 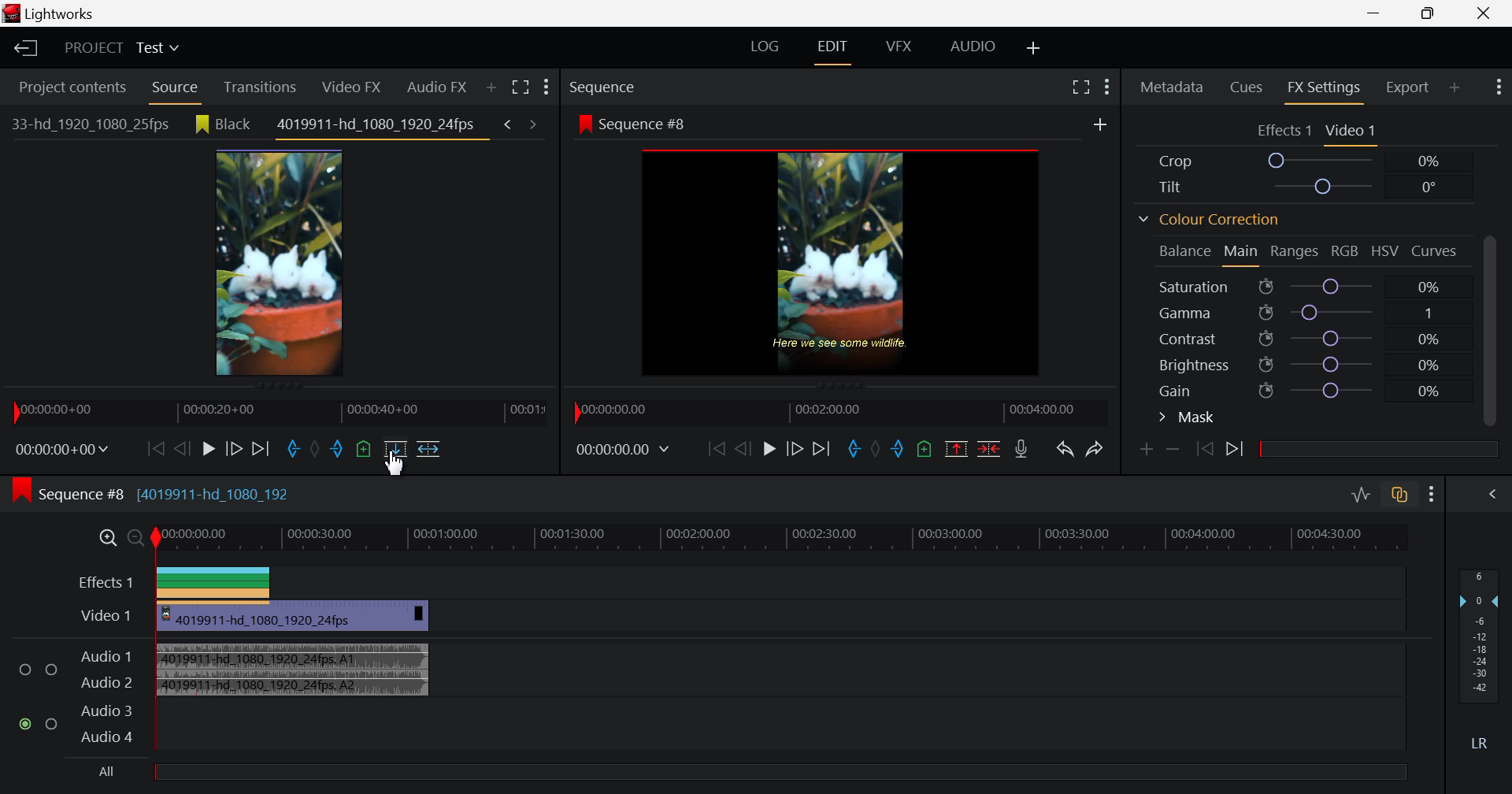 What do you see at coordinates (1183, 250) in the screenshot?
I see `Balance` at bounding box center [1183, 250].